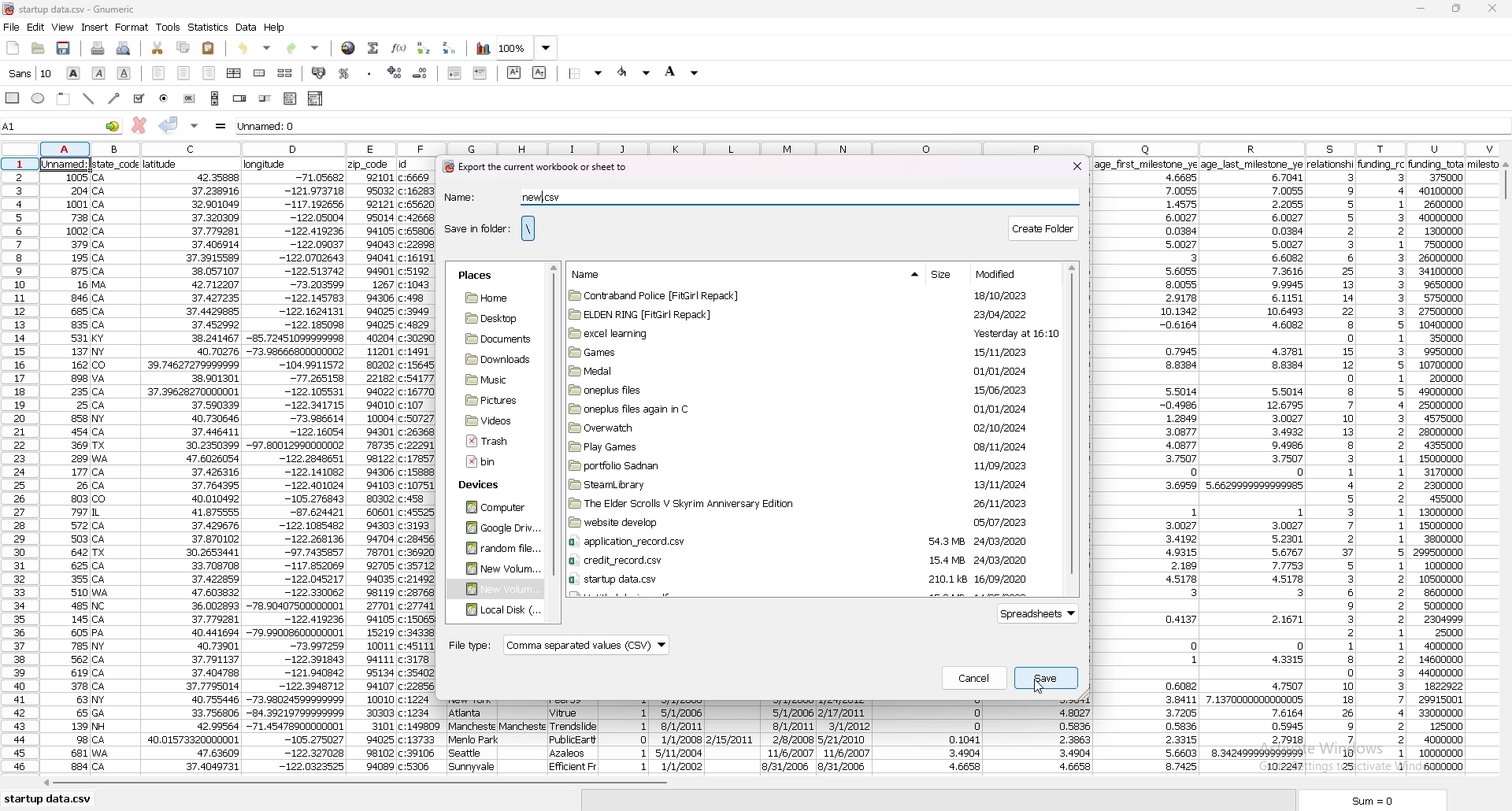 The width and height of the screenshot is (1512, 811). I want to click on underline, so click(125, 73).